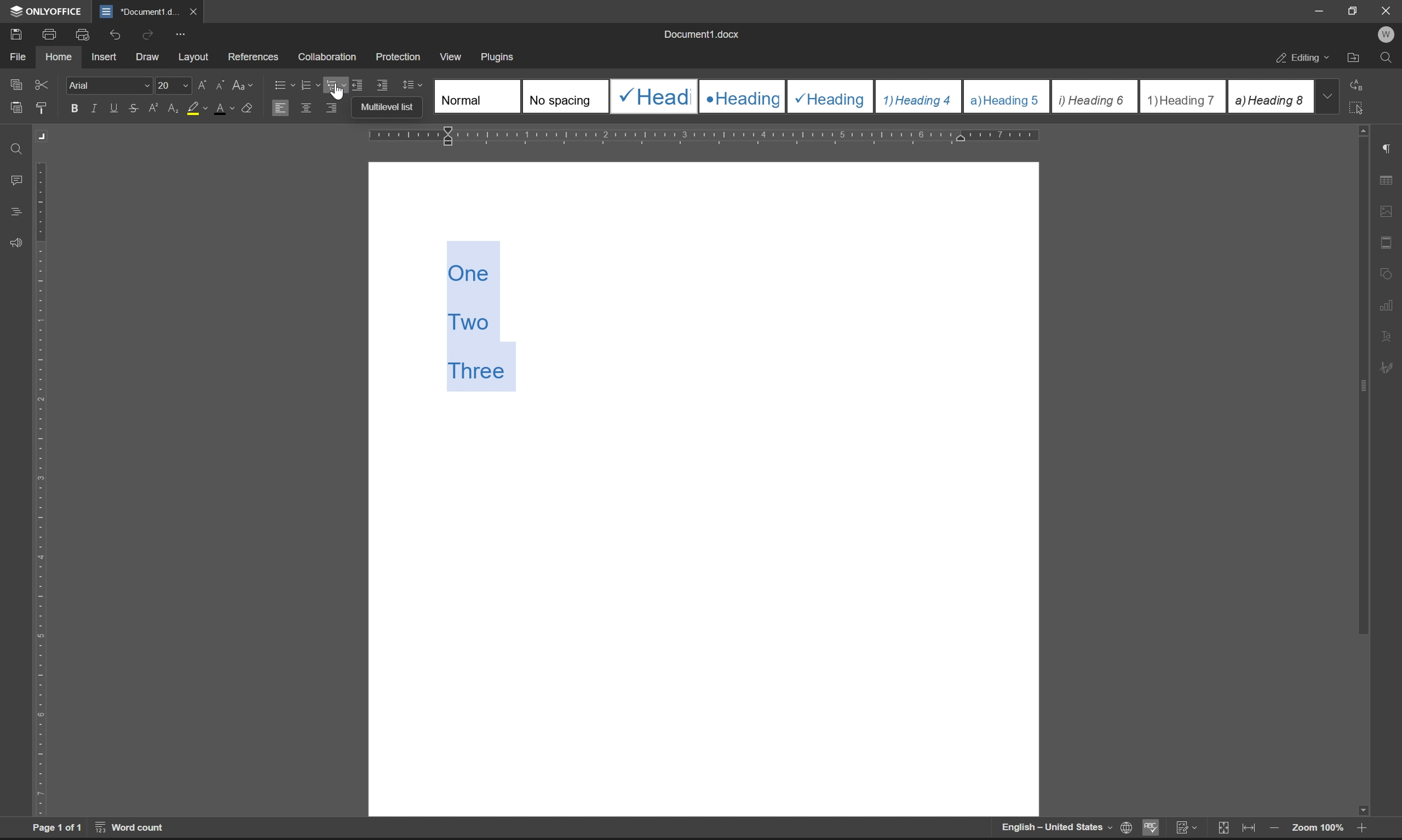 This screenshot has width=1402, height=840. Describe the element at coordinates (700, 34) in the screenshot. I see `document1.docx` at that location.